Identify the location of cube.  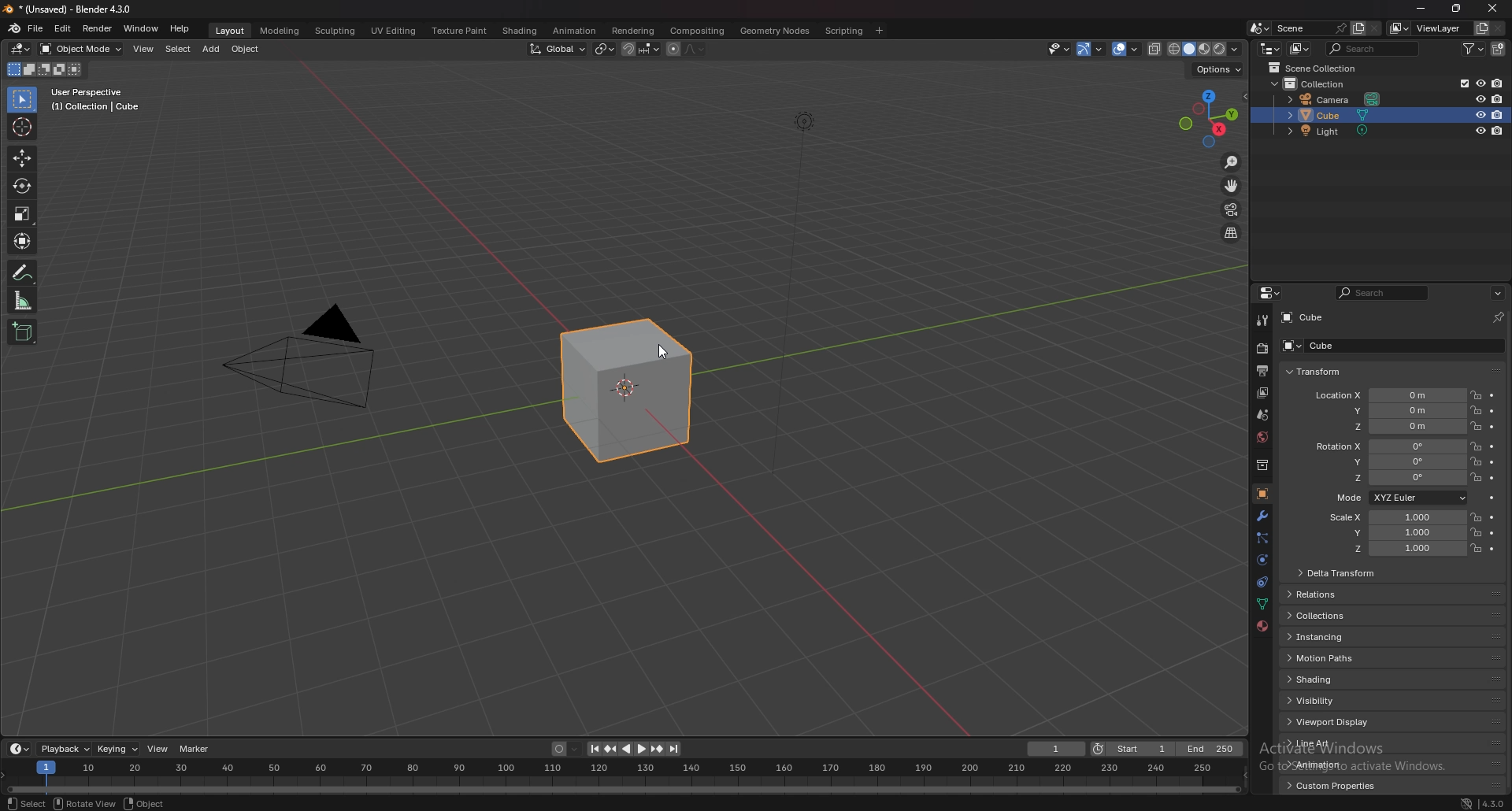
(1380, 115).